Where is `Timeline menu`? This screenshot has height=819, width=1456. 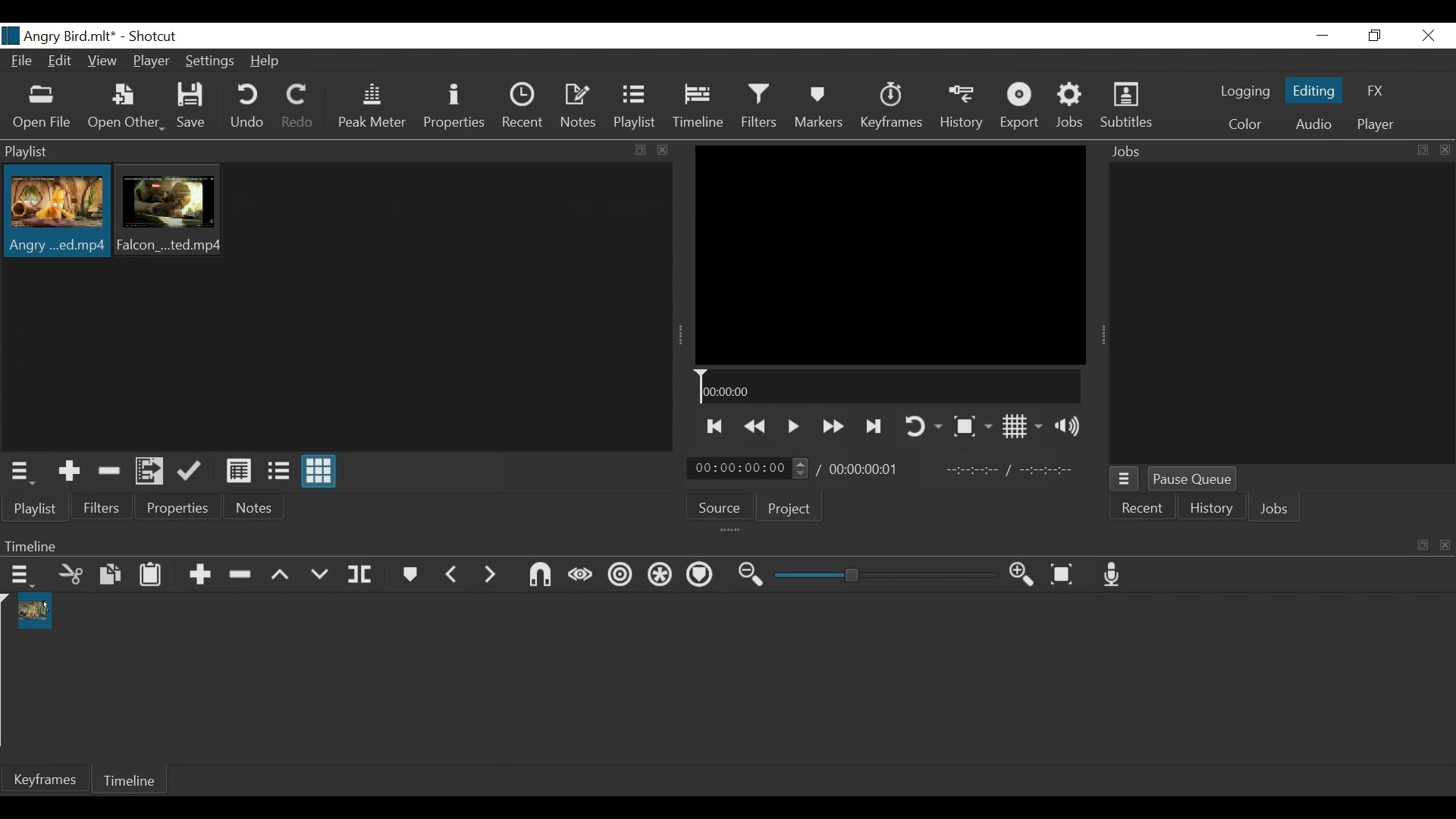
Timeline menu is located at coordinates (21, 577).